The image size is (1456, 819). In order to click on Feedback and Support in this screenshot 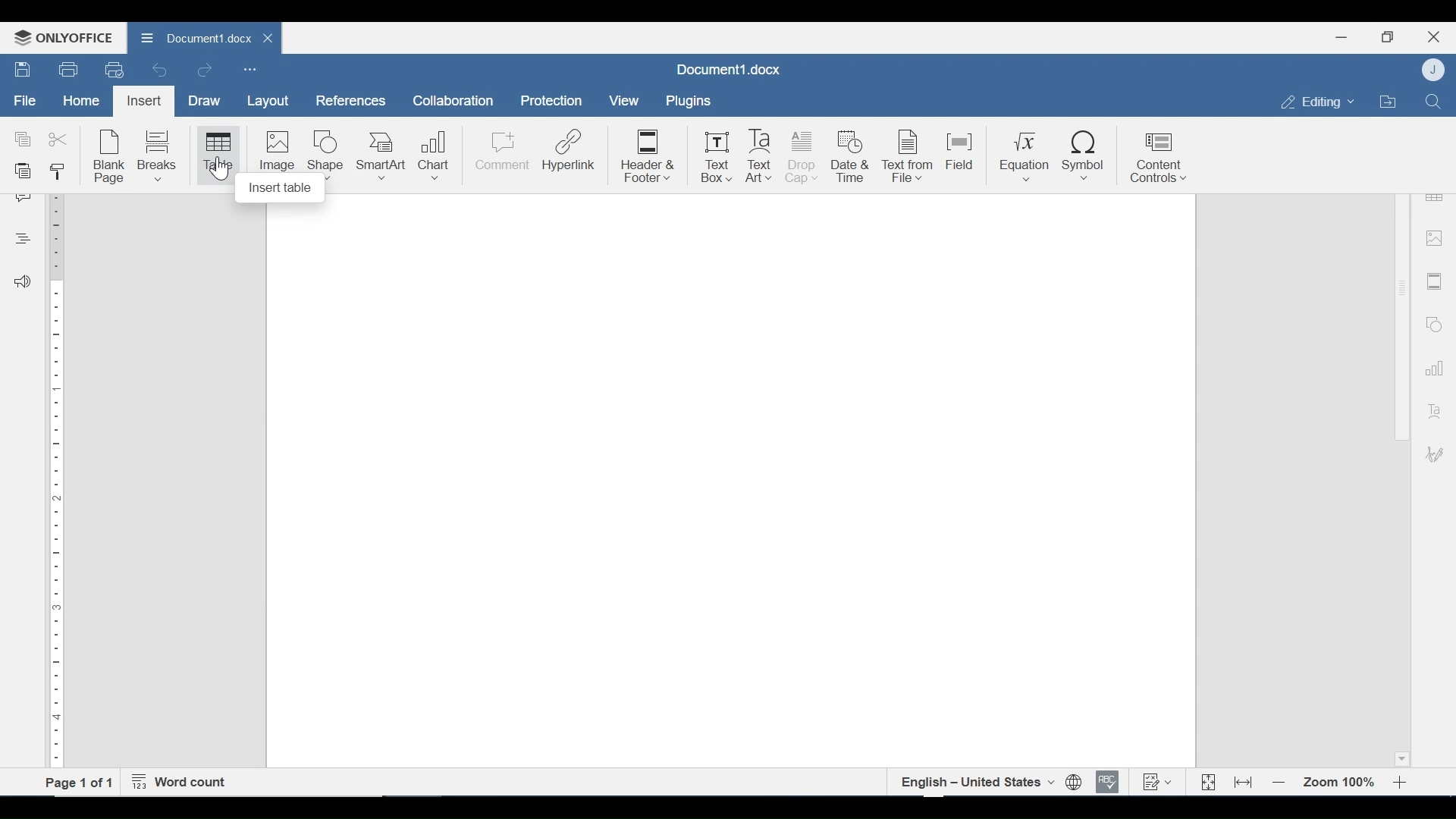, I will do `click(22, 283)`.